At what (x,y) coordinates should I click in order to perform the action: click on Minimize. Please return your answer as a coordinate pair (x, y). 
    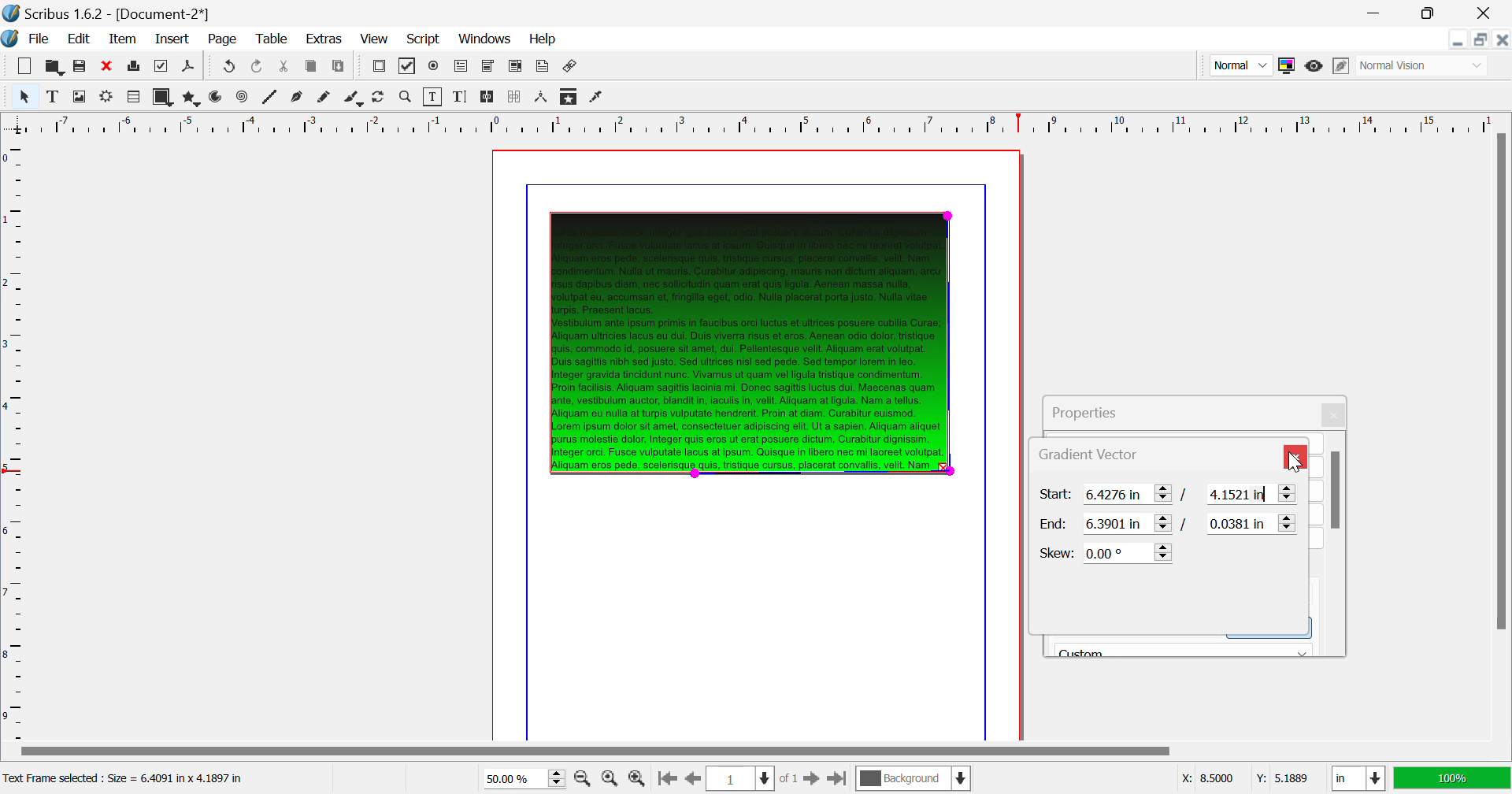
    Looking at the image, I should click on (1482, 39).